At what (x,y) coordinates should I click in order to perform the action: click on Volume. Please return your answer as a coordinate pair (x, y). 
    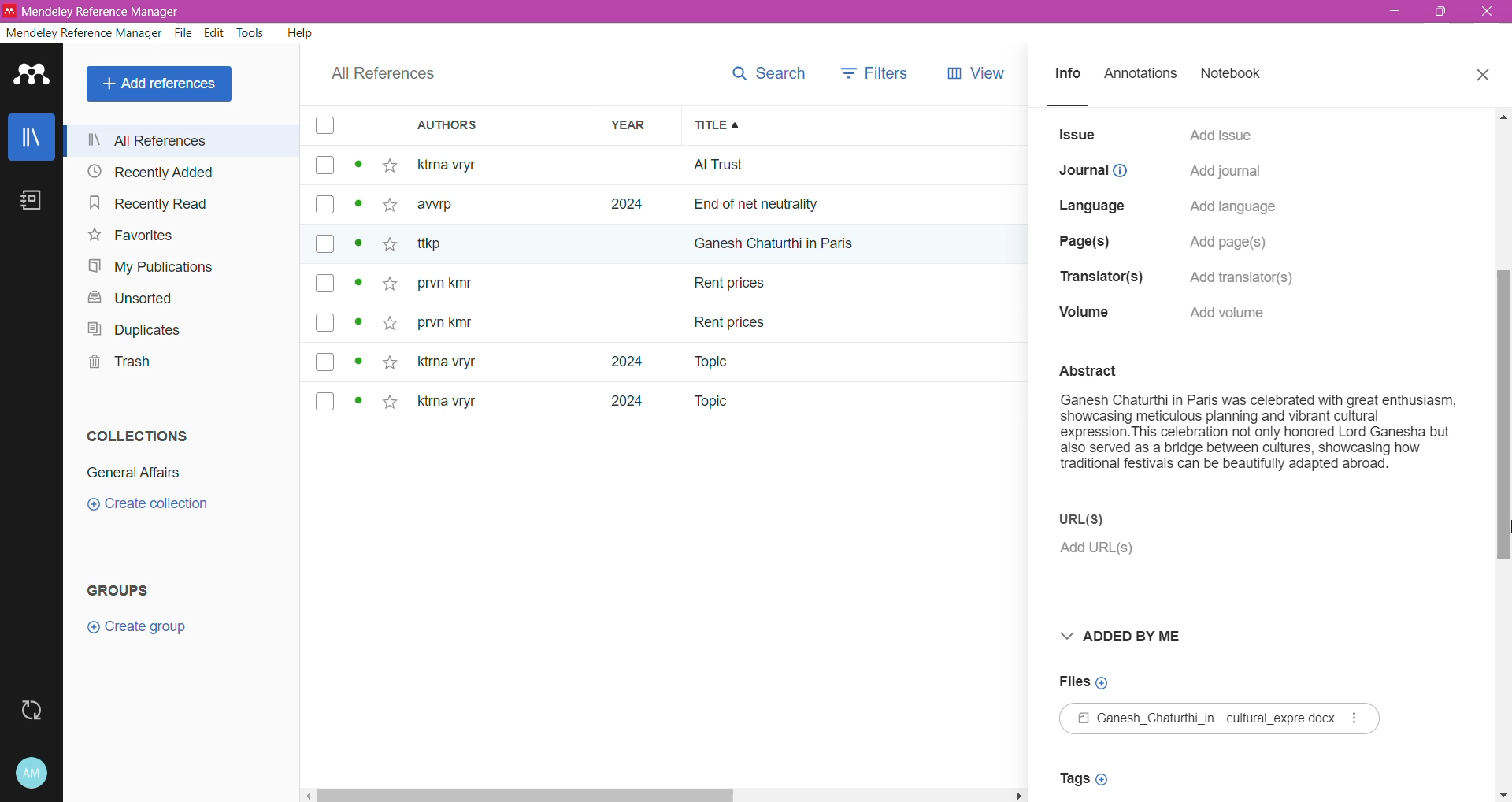
    Looking at the image, I should click on (1084, 314).